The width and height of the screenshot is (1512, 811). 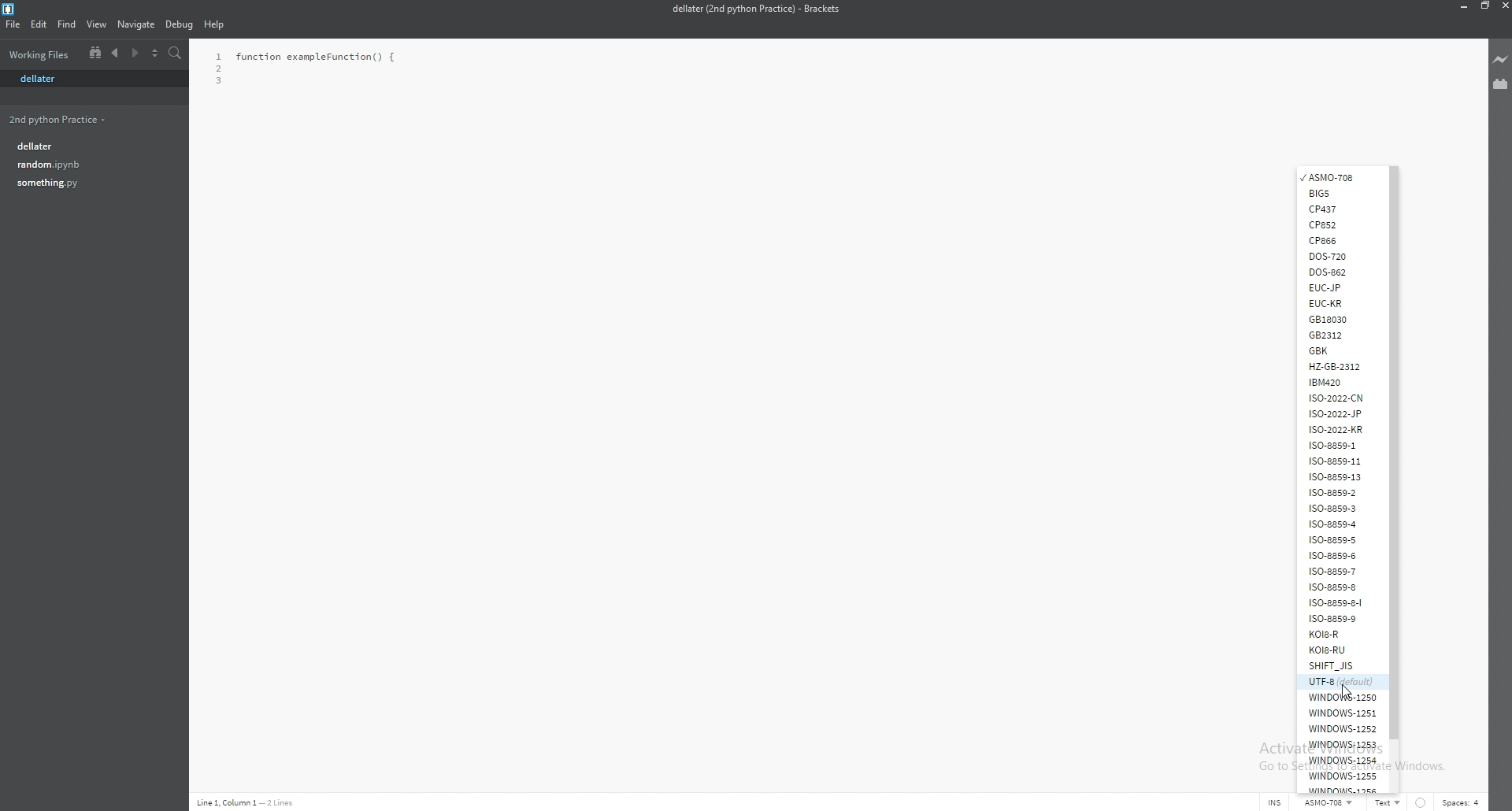 What do you see at coordinates (1340, 303) in the screenshot?
I see `euc-kr` at bounding box center [1340, 303].